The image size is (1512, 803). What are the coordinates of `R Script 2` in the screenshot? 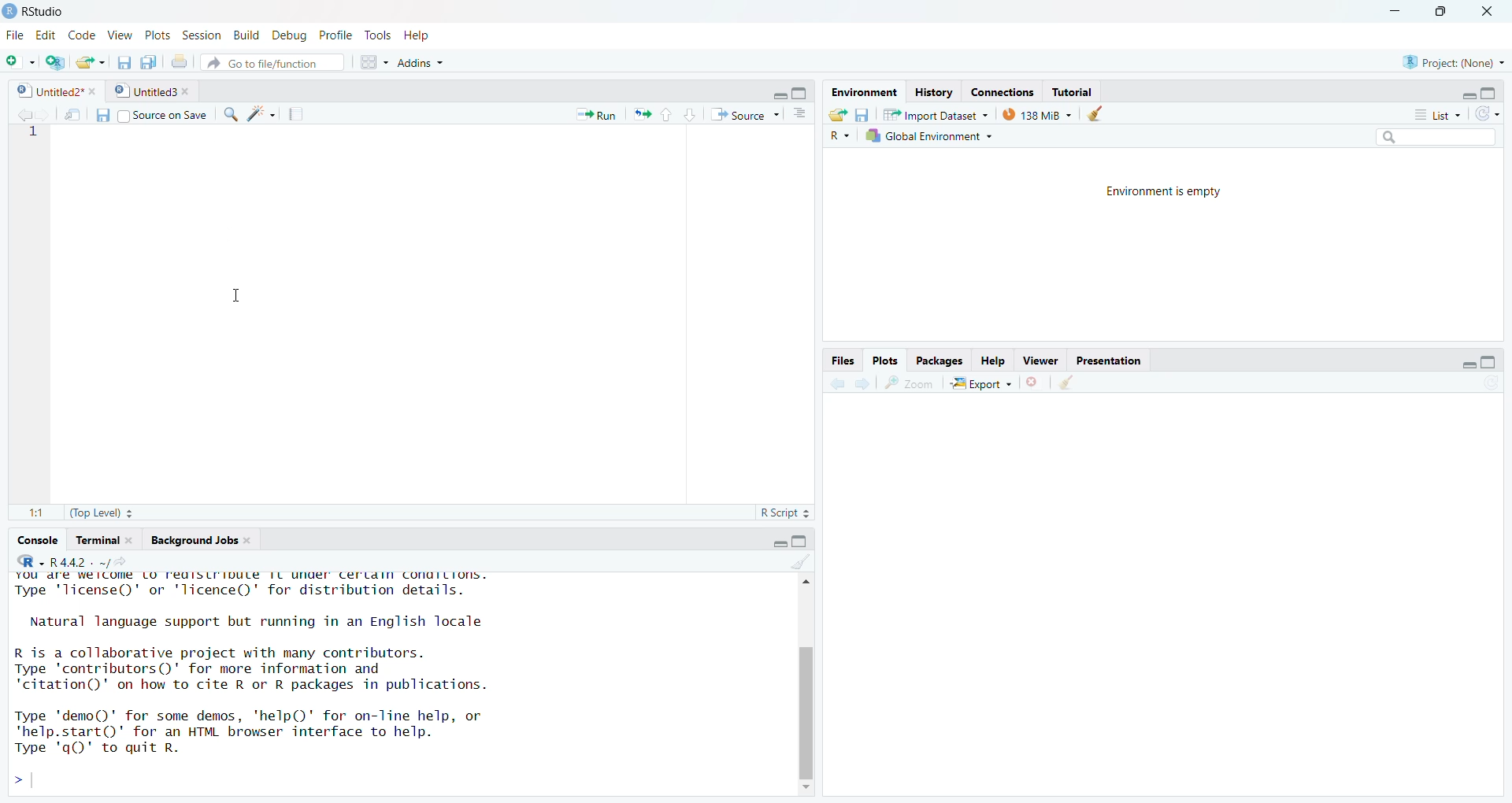 It's located at (776, 513).